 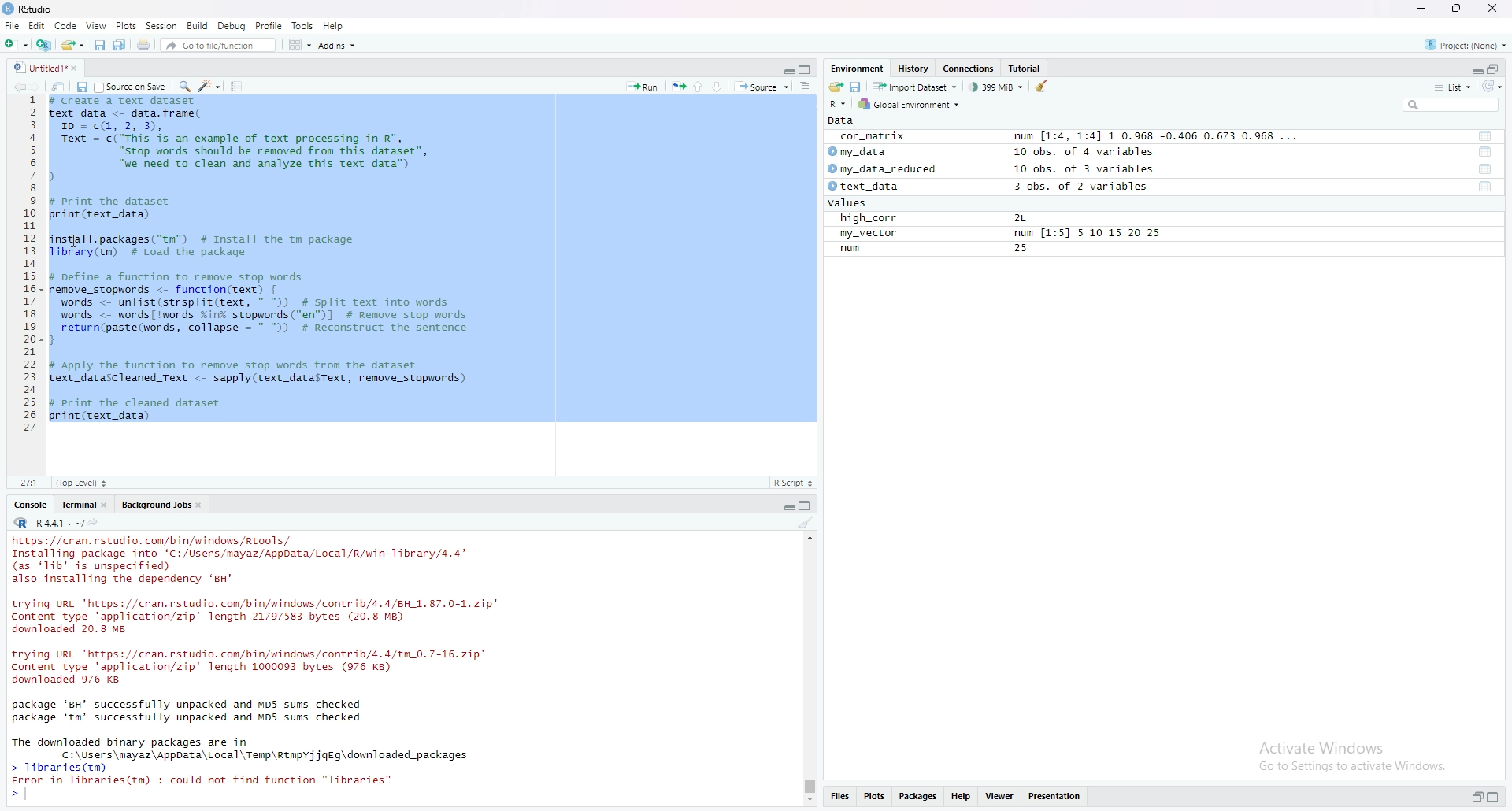 I want to click on functions , so click(x=1484, y=169).